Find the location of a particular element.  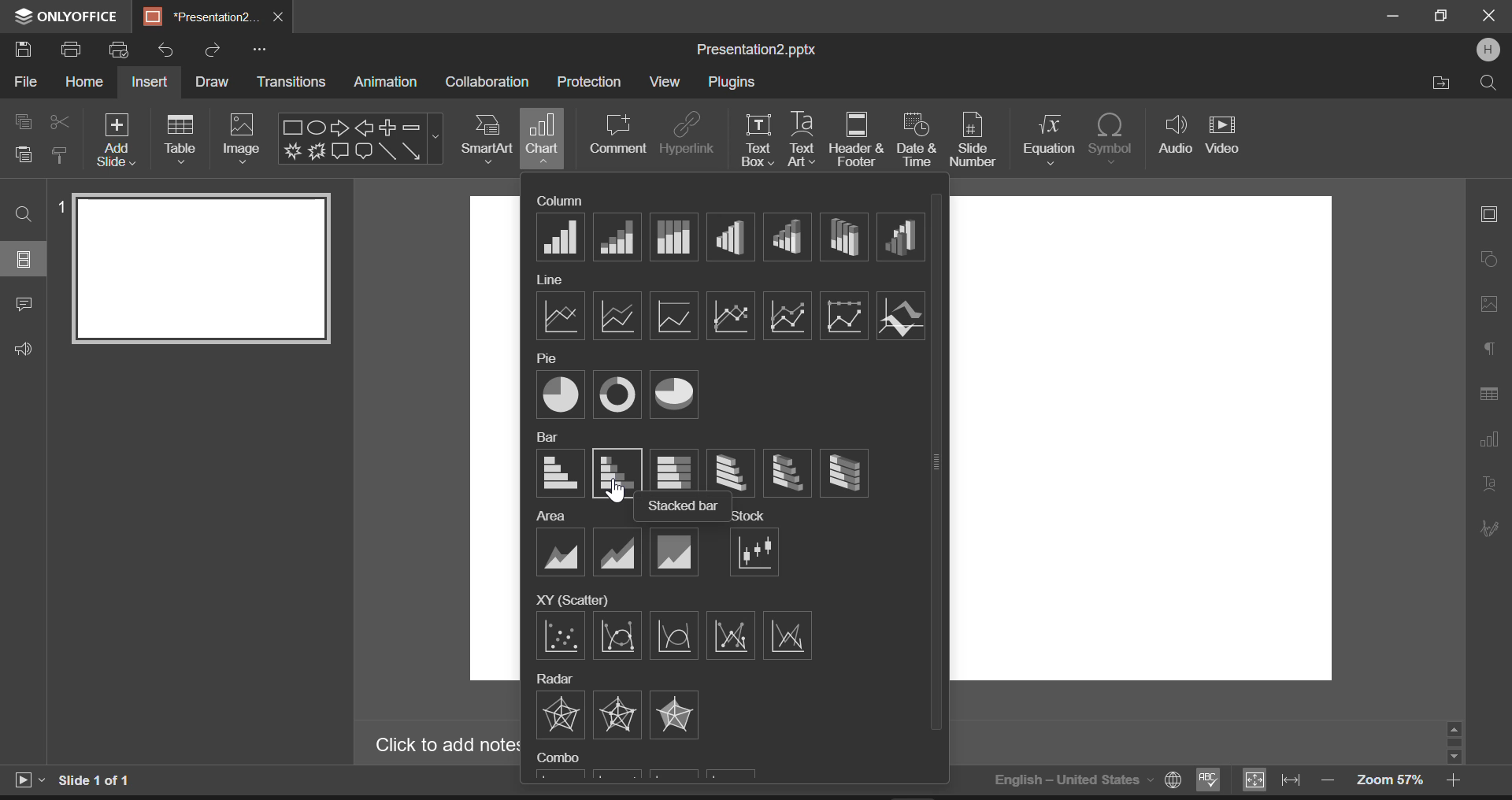

Chart is located at coordinates (543, 139).